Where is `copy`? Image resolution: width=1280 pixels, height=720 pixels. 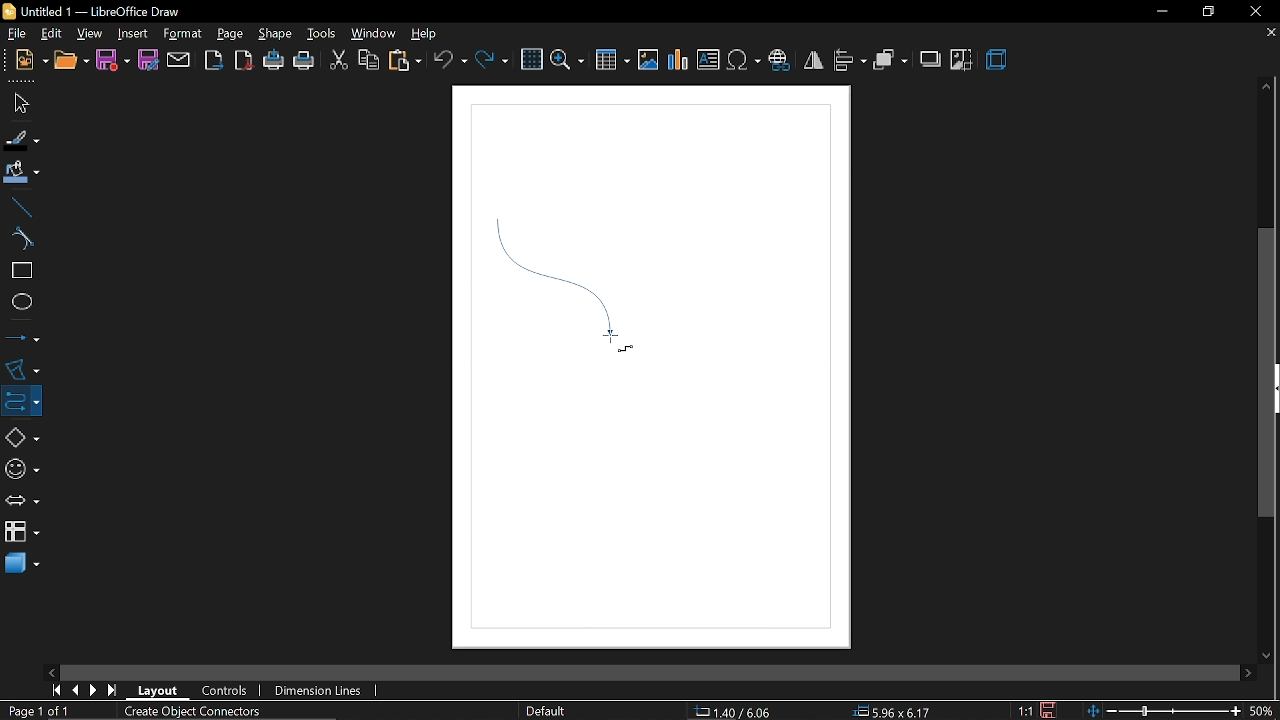 copy is located at coordinates (367, 62).